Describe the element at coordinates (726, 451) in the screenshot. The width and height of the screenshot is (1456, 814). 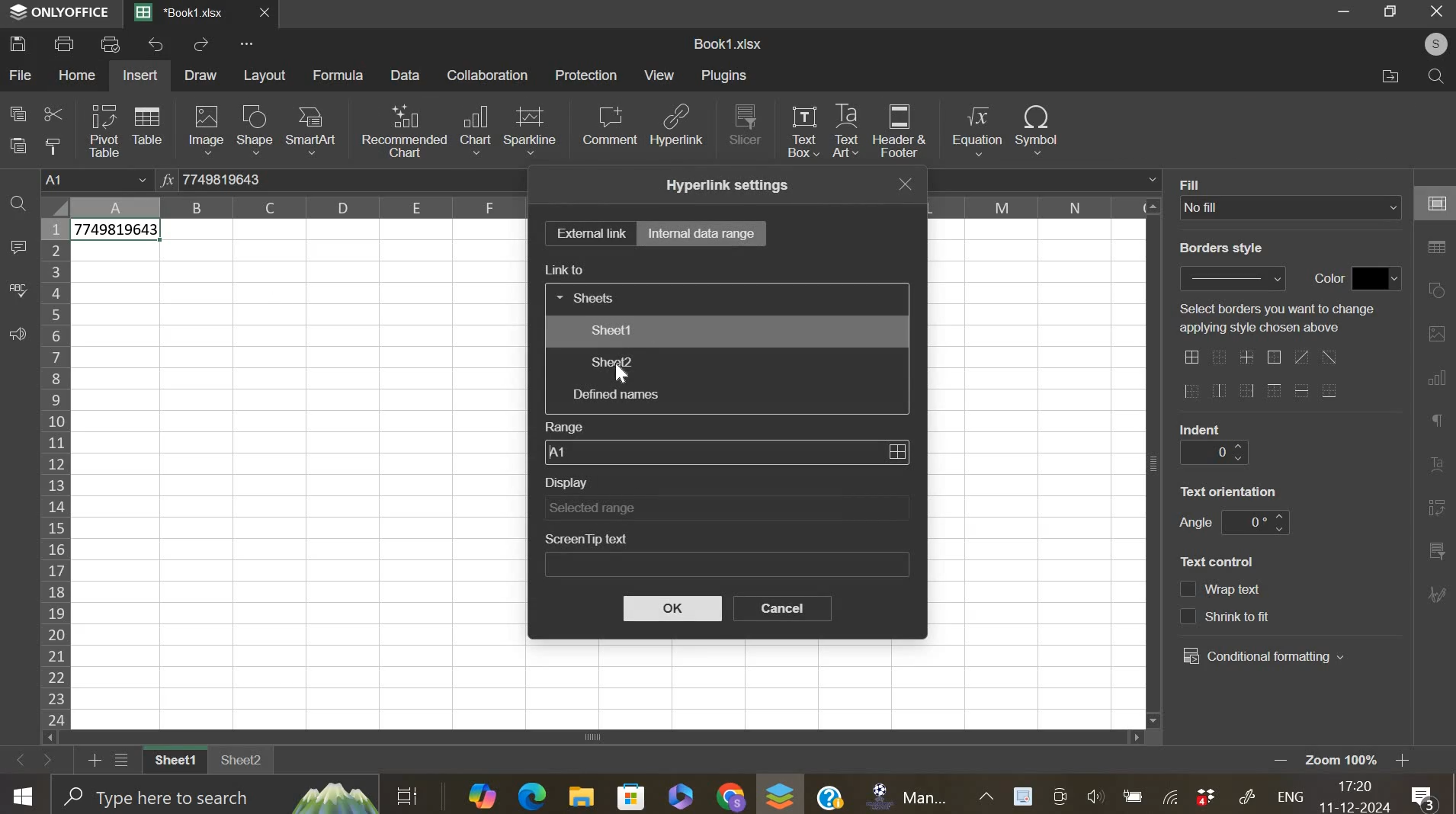
I see `range` at that location.